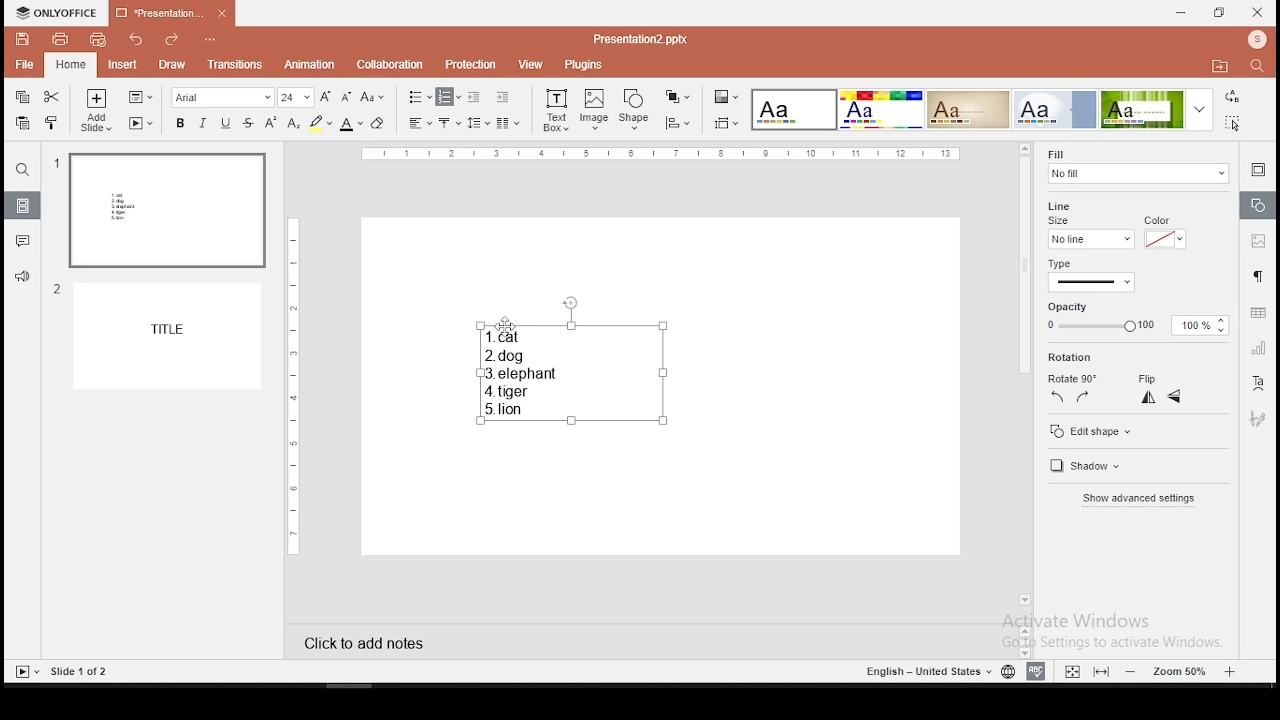 The image size is (1280, 720). I want to click on zoom level, so click(1178, 672).